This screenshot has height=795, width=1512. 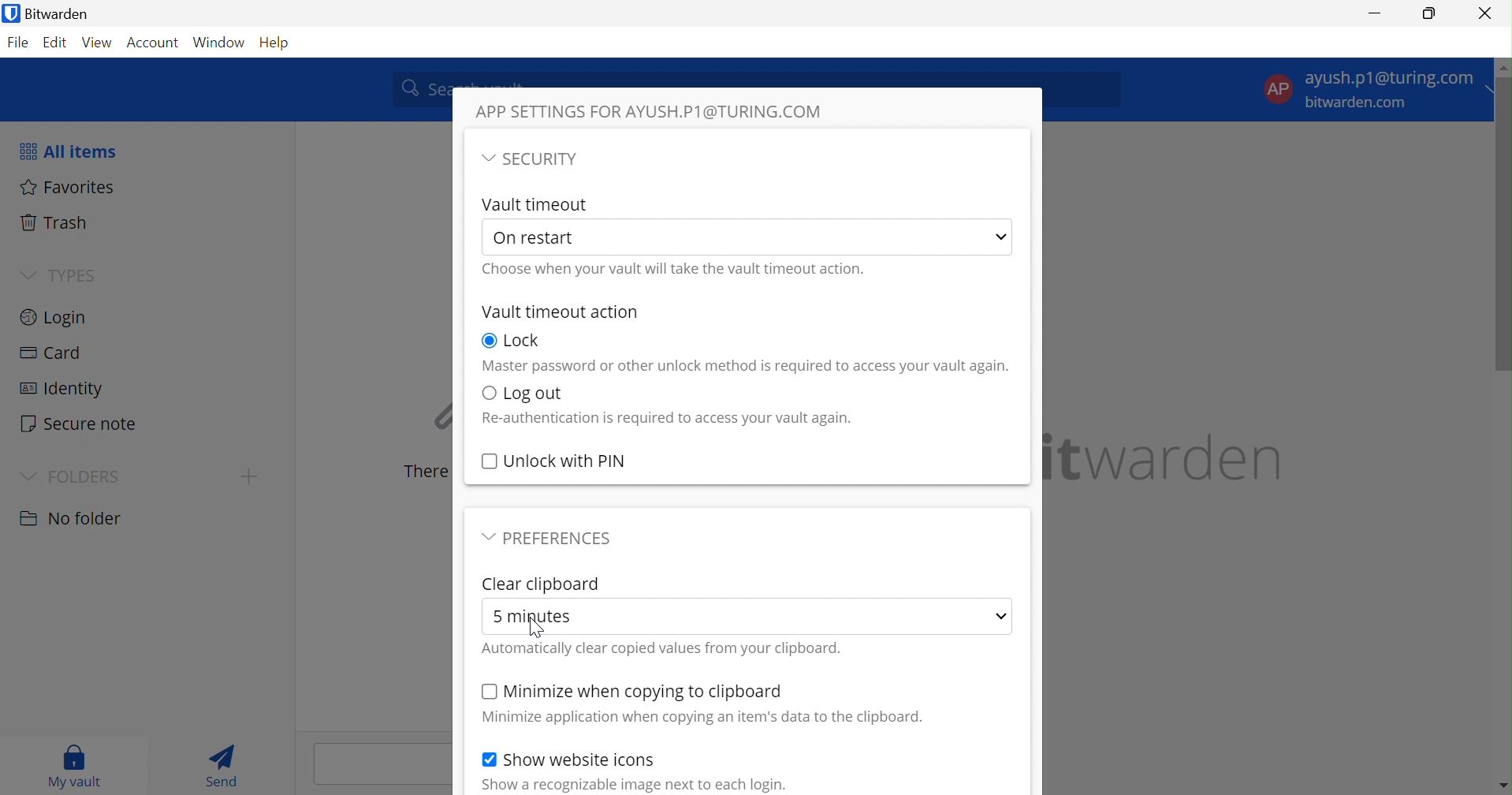 I want to click on Minimize, so click(x=1372, y=17).